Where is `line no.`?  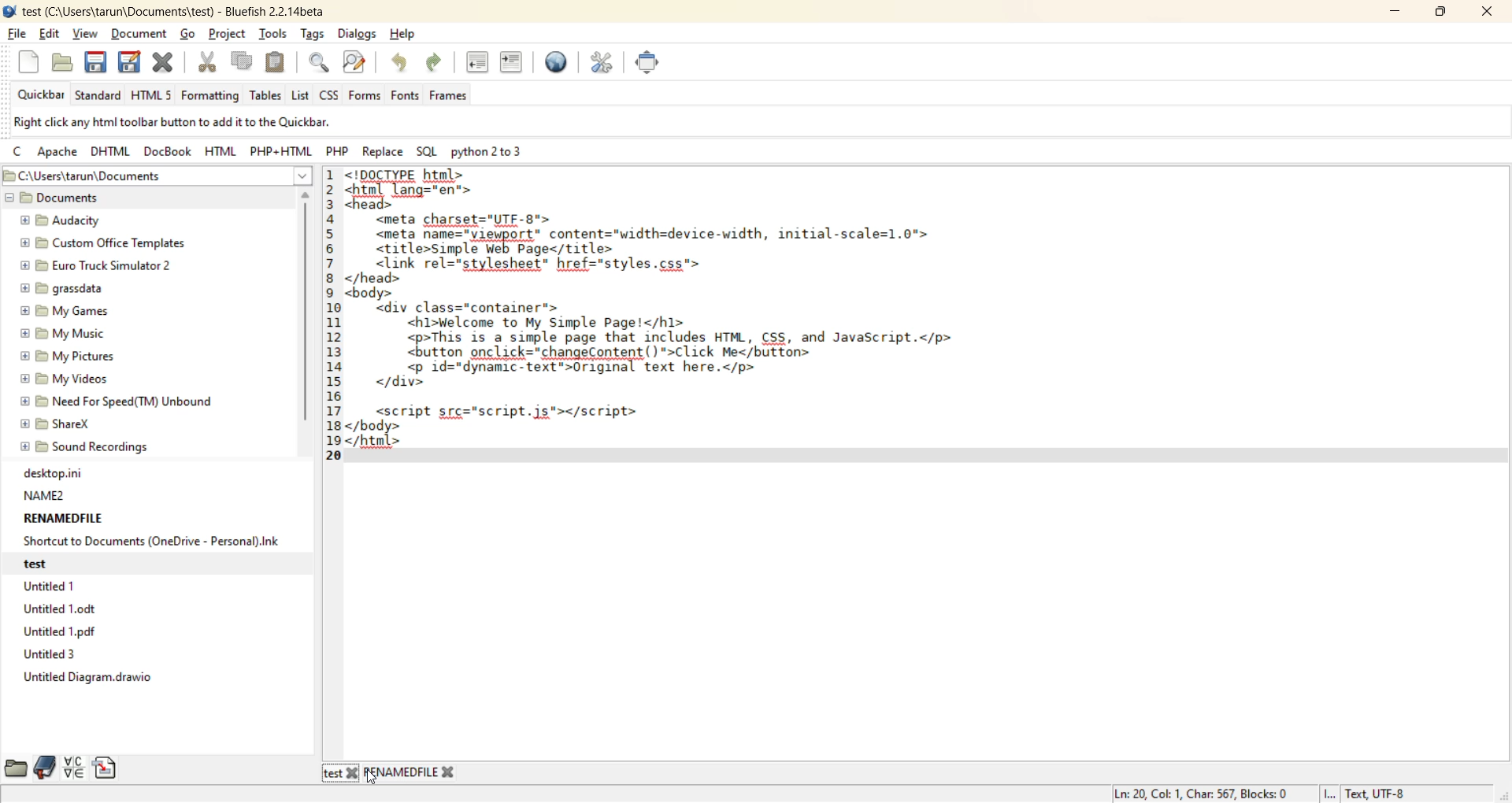 line no. is located at coordinates (332, 324).